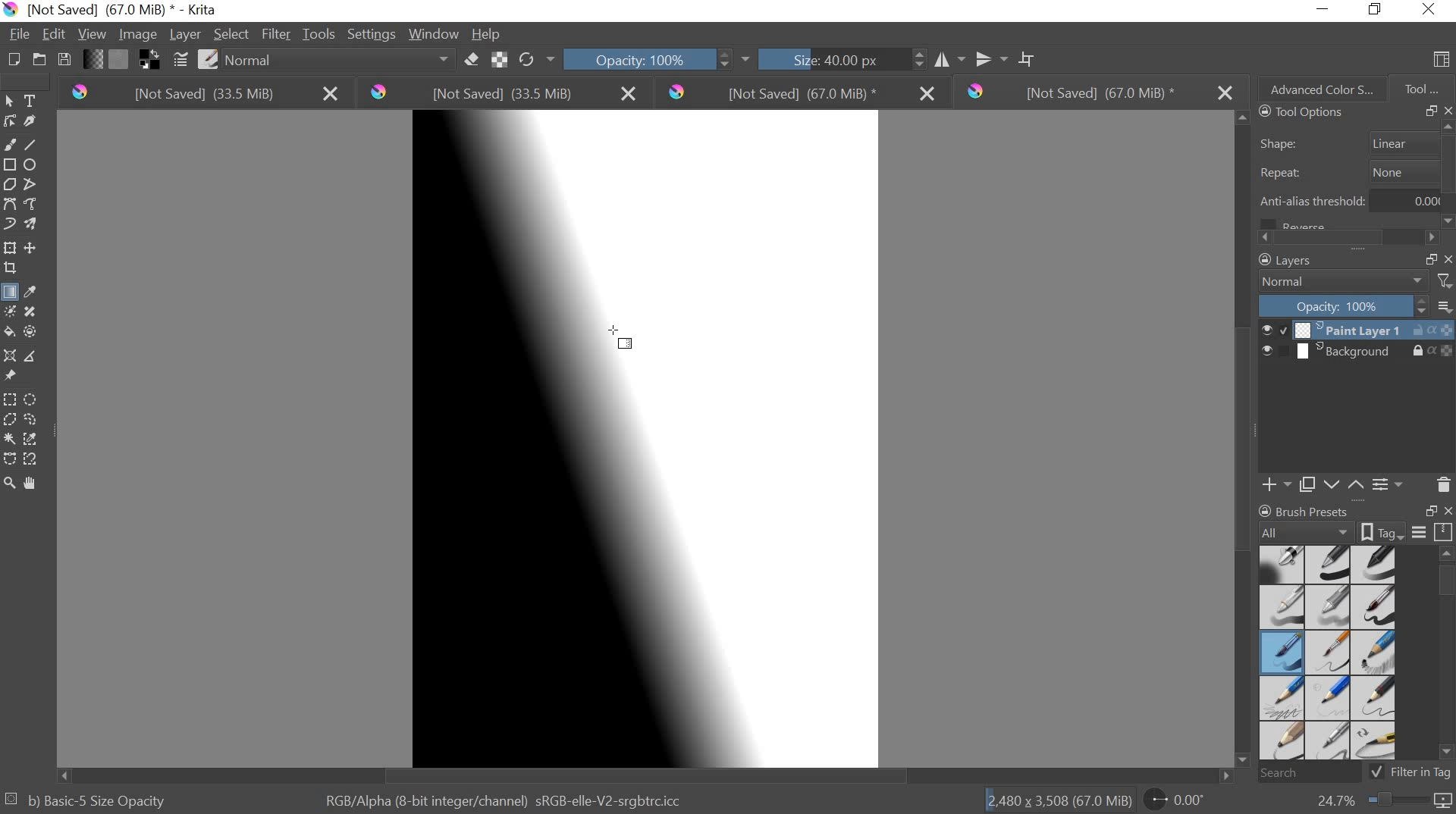  I want to click on freehand, so click(9, 145).